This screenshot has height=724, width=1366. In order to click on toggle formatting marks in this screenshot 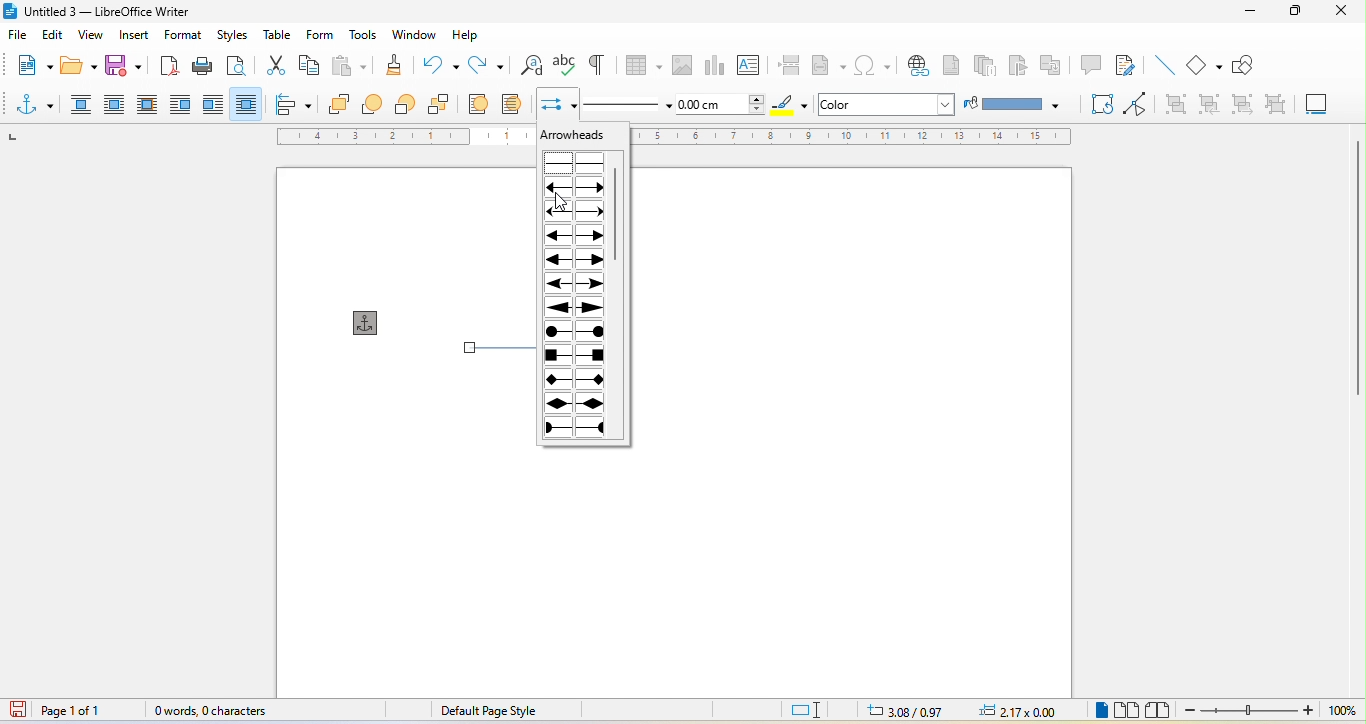, I will do `click(594, 65)`.